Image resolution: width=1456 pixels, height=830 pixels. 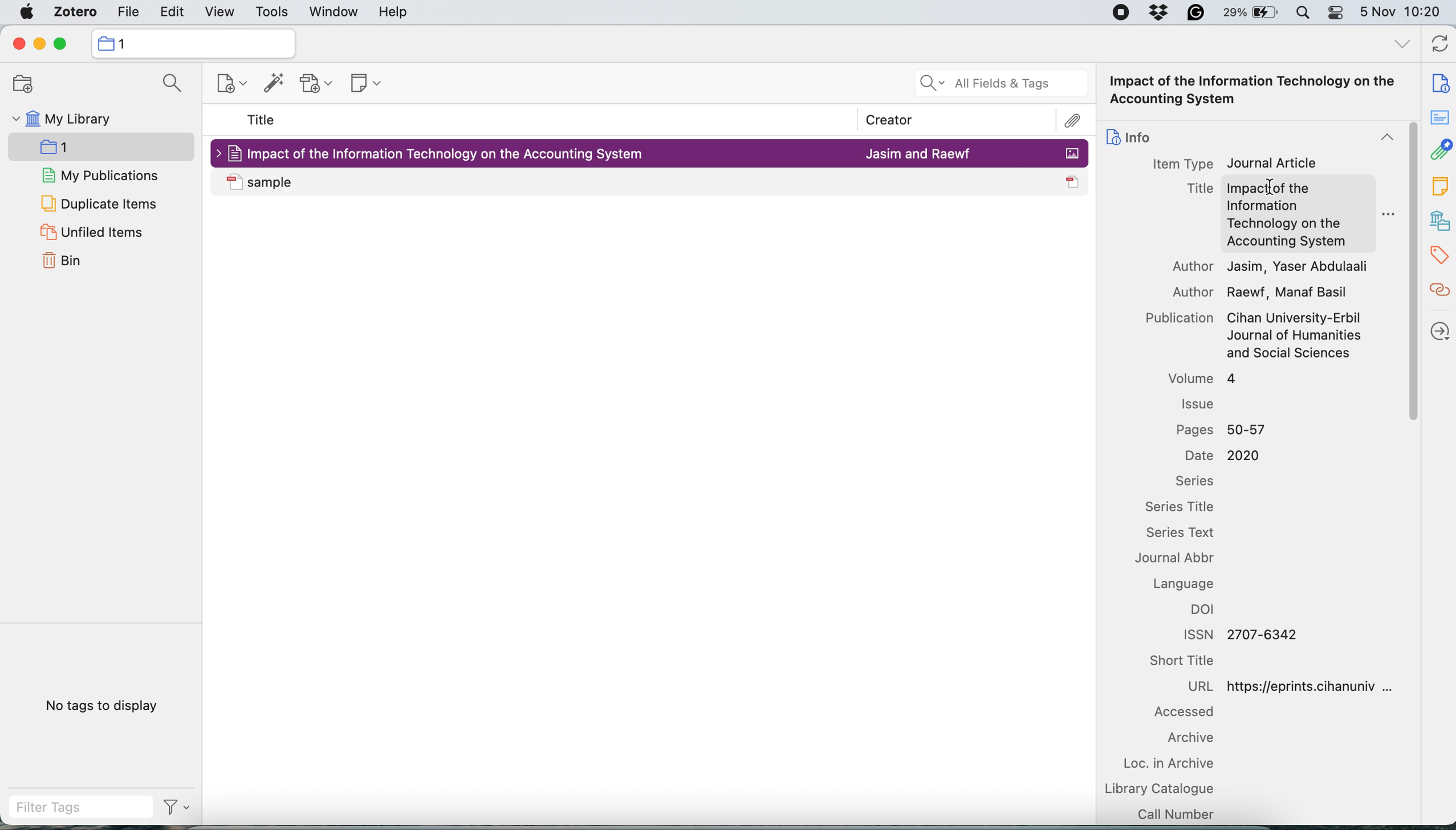 What do you see at coordinates (1439, 46) in the screenshot?
I see `refresh` at bounding box center [1439, 46].